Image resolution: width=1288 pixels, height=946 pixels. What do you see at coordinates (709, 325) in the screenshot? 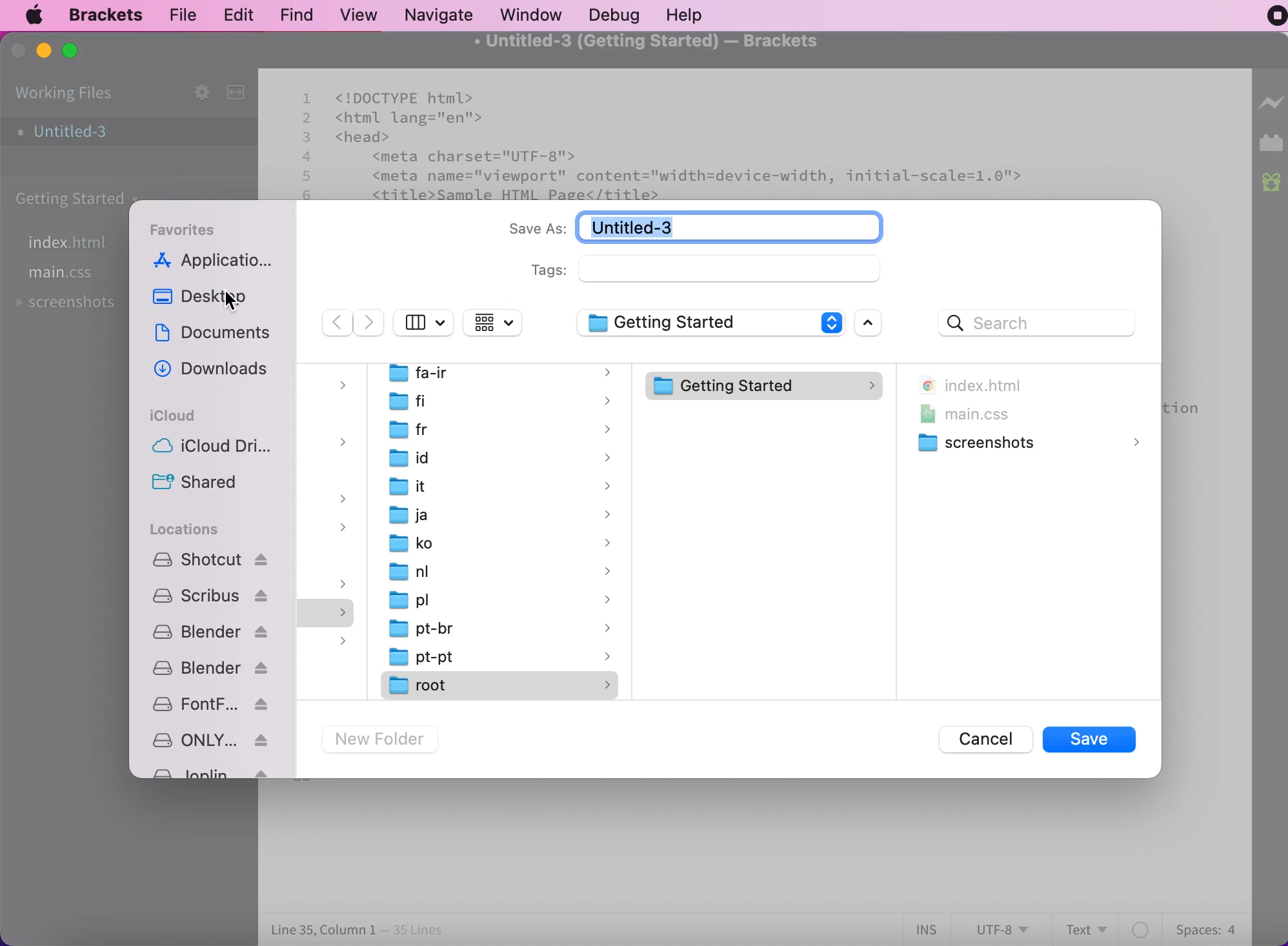
I see `getting started` at bounding box center [709, 325].